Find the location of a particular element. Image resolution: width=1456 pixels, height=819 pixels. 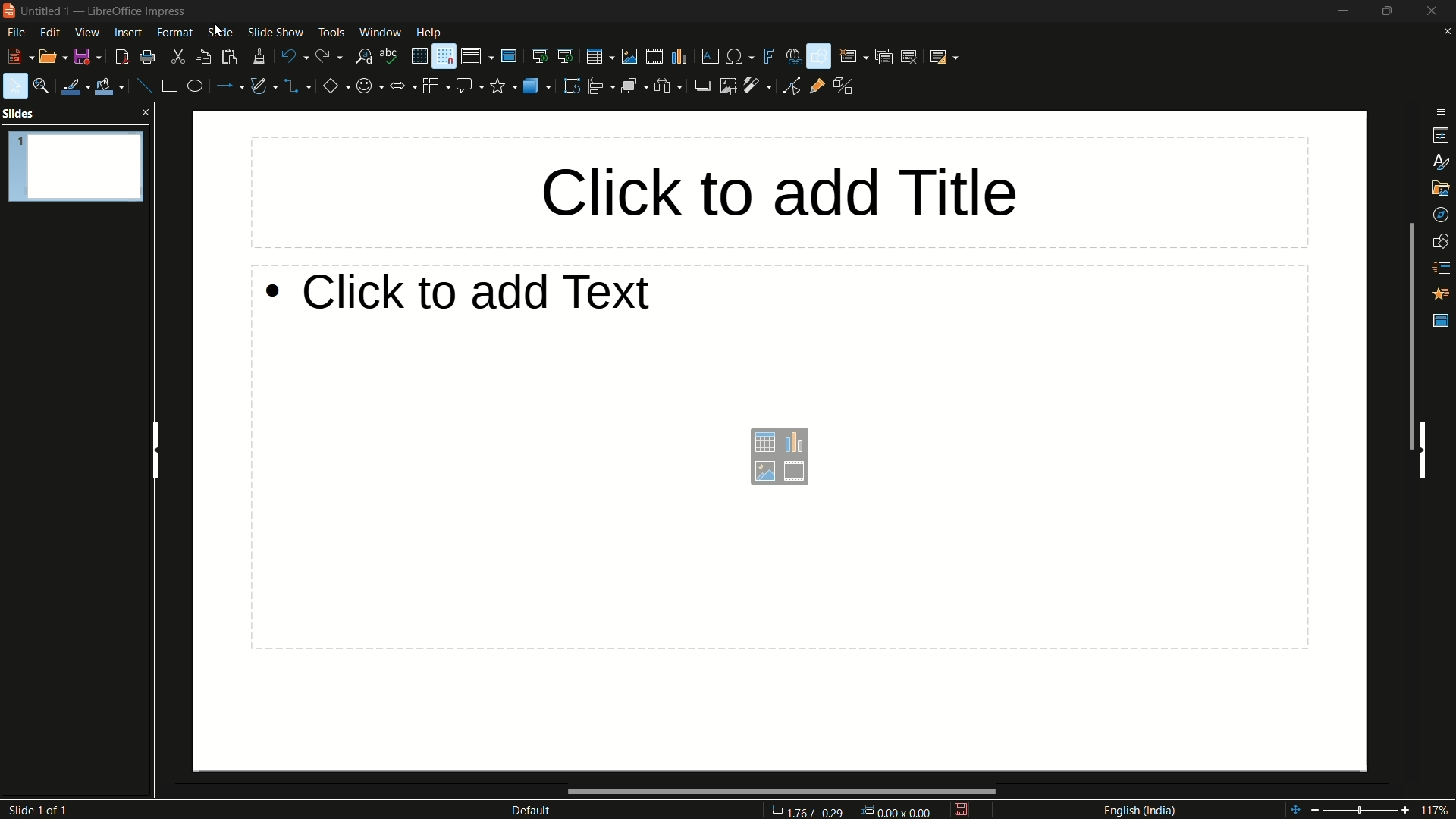

cut is located at coordinates (176, 58).